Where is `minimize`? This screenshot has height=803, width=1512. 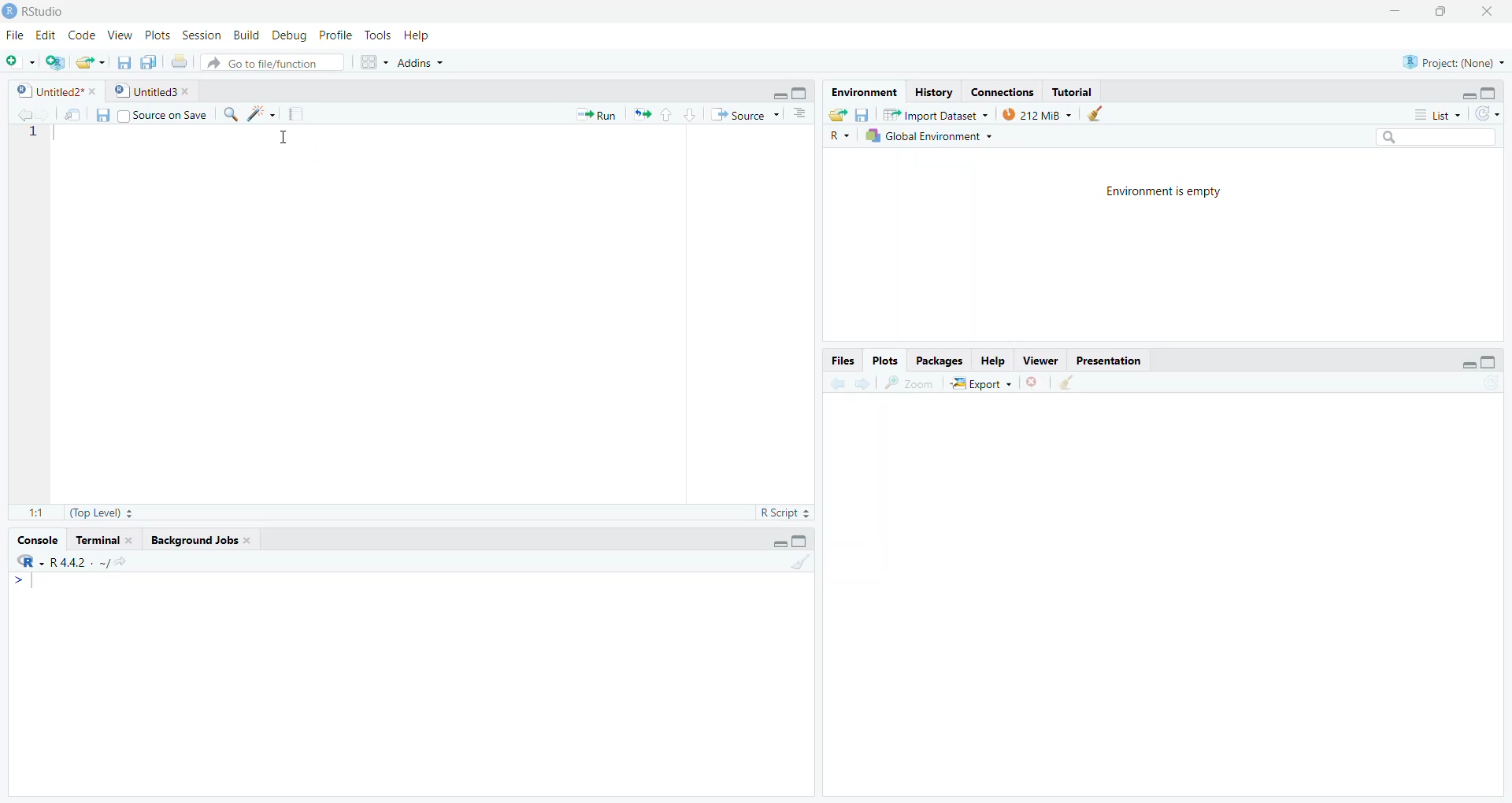 minimize is located at coordinates (1451, 361).